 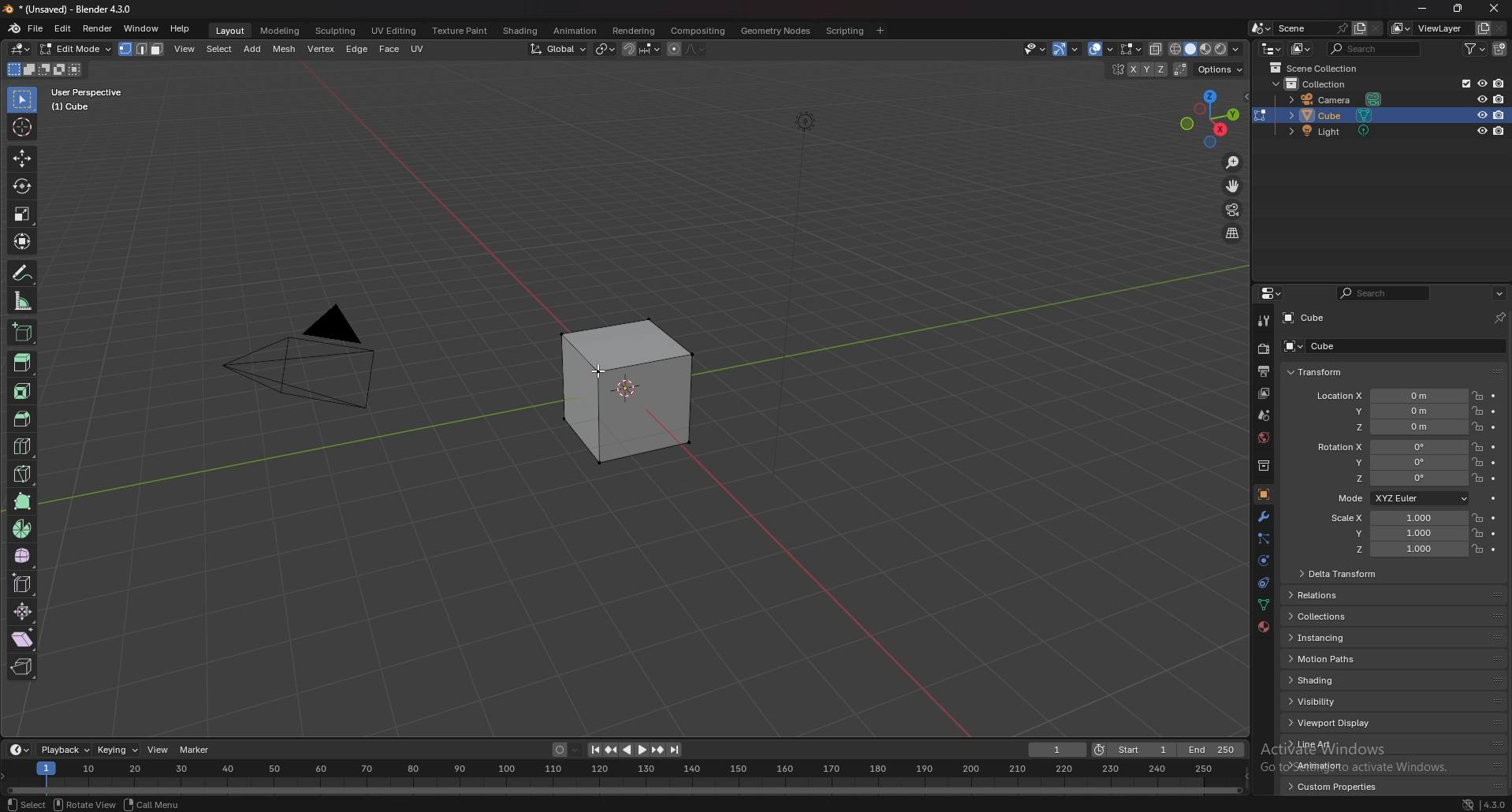 What do you see at coordinates (1348, 723) in the screenshot?
I see `viewport display` at bounding box center [1348, 723].